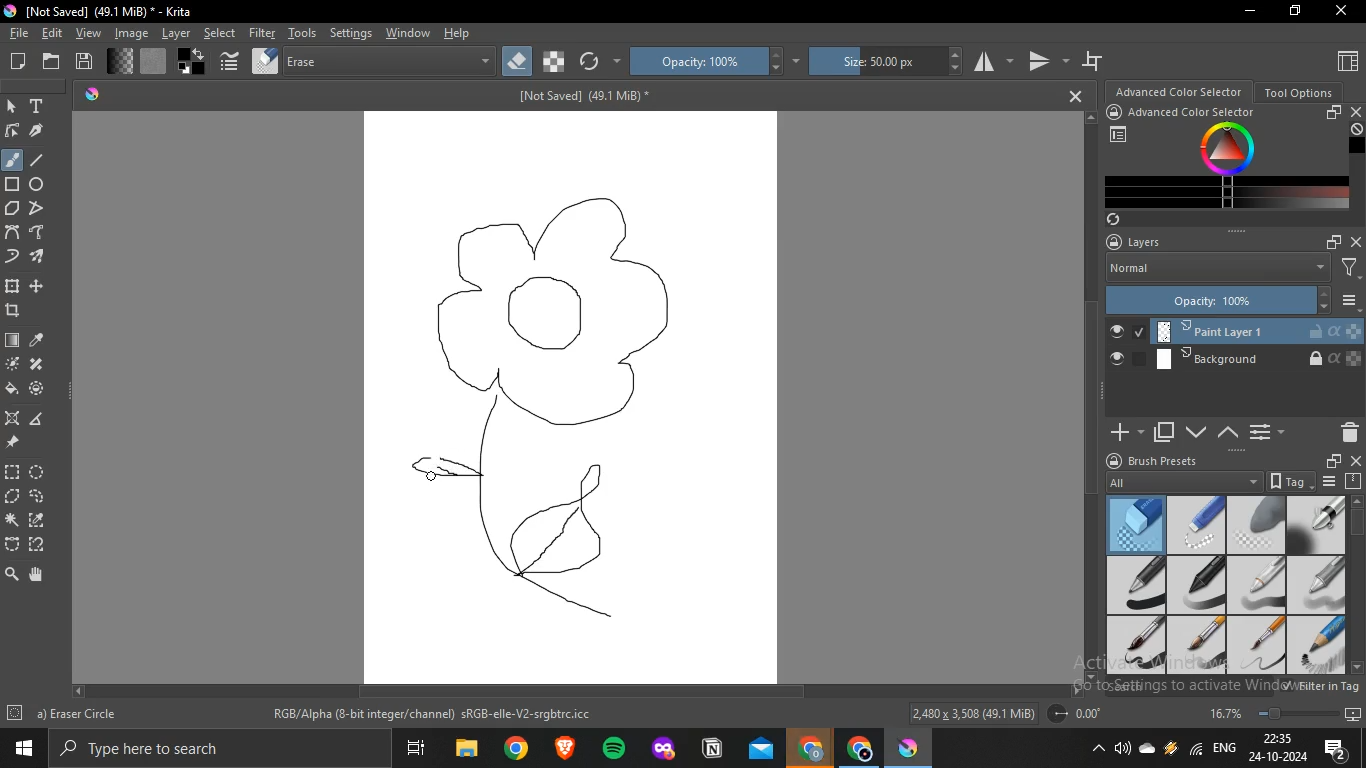  What do you see at coordinates (37, 495) in the screenshot?
I see `freehand selection tool` at bounding box center [37, 495].